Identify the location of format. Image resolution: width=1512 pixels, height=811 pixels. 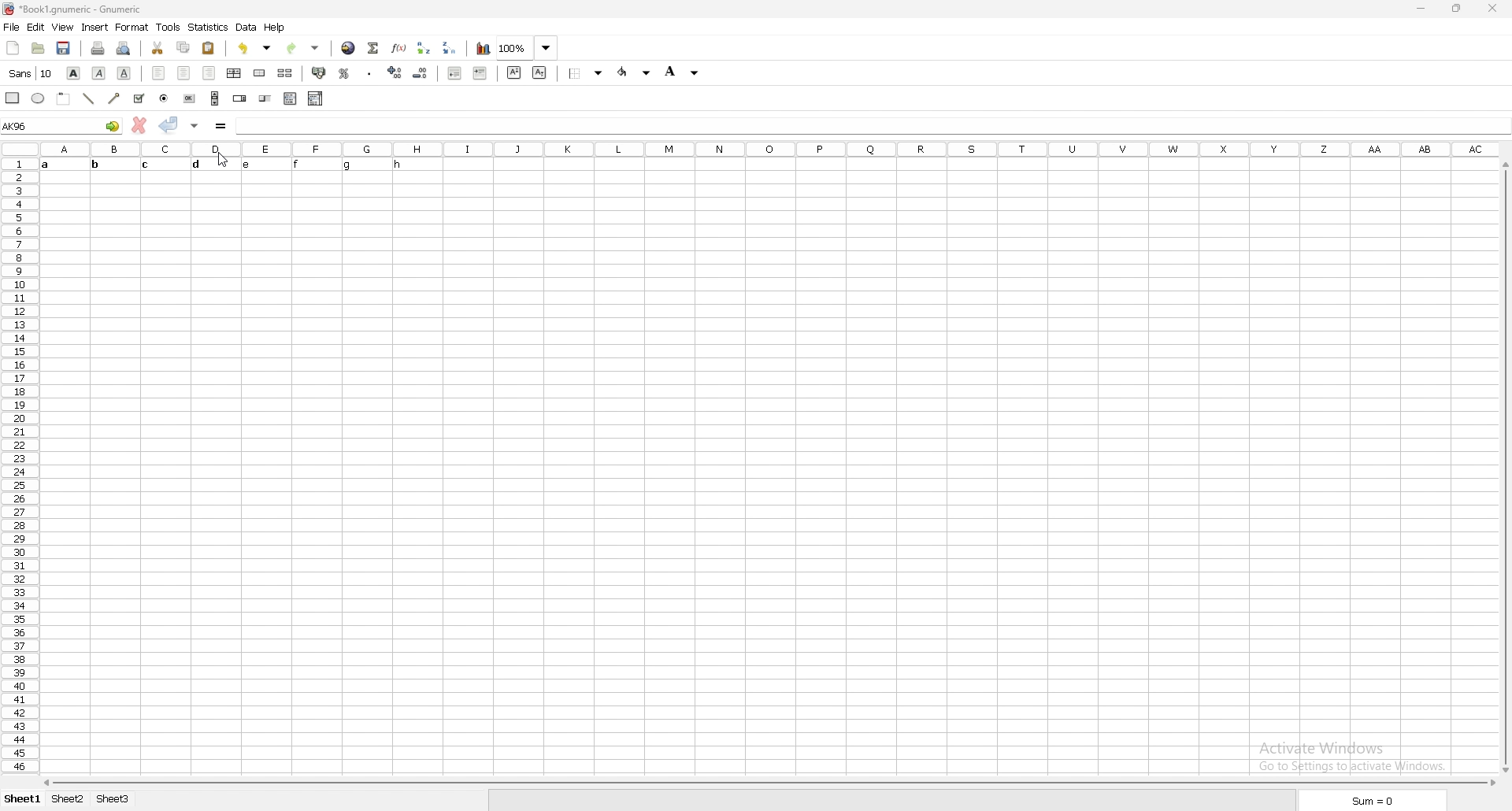
(132, 28).